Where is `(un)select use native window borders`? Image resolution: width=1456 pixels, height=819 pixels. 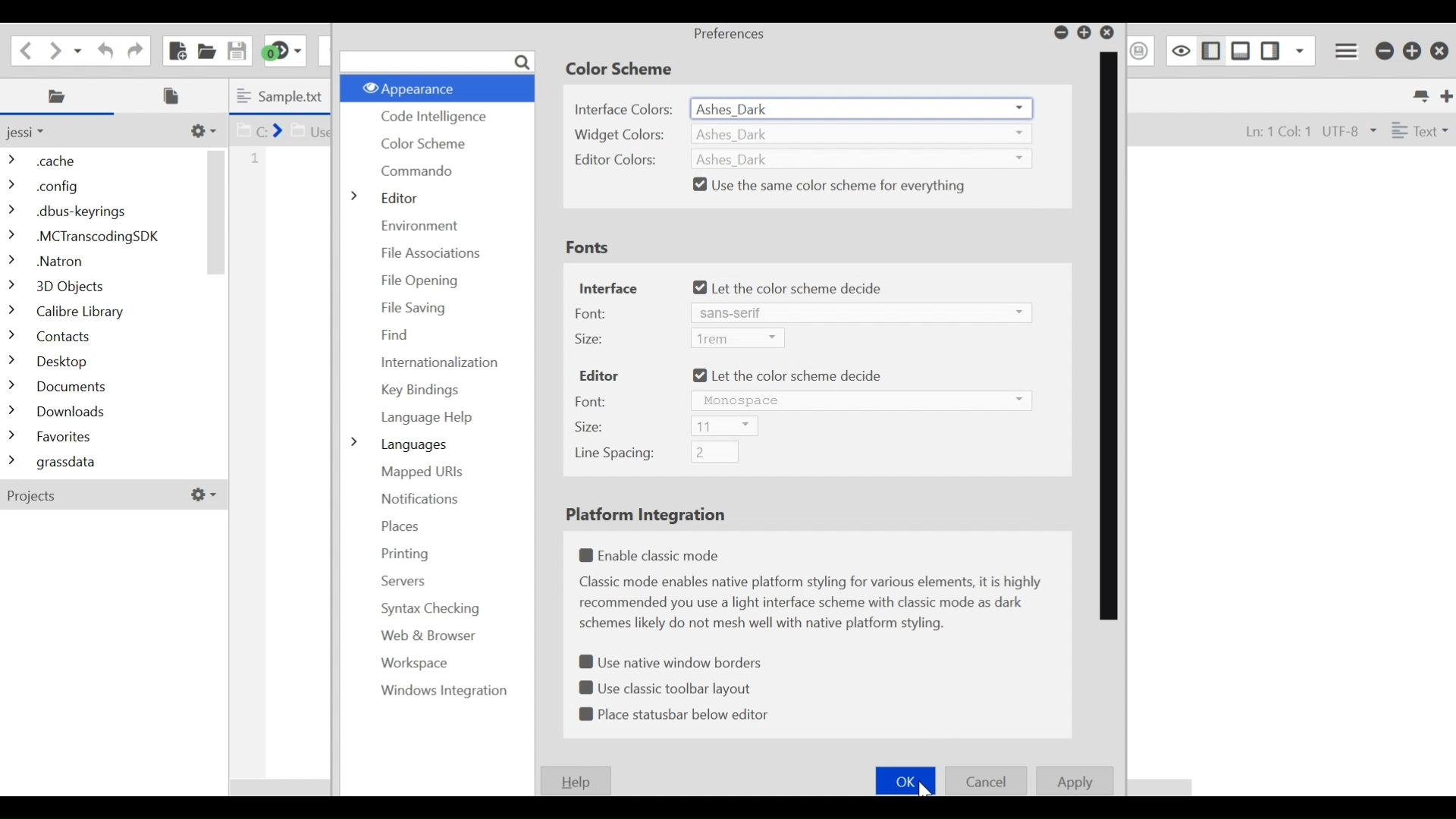
(un)select use native window borders is located at coordinates (675, 660).